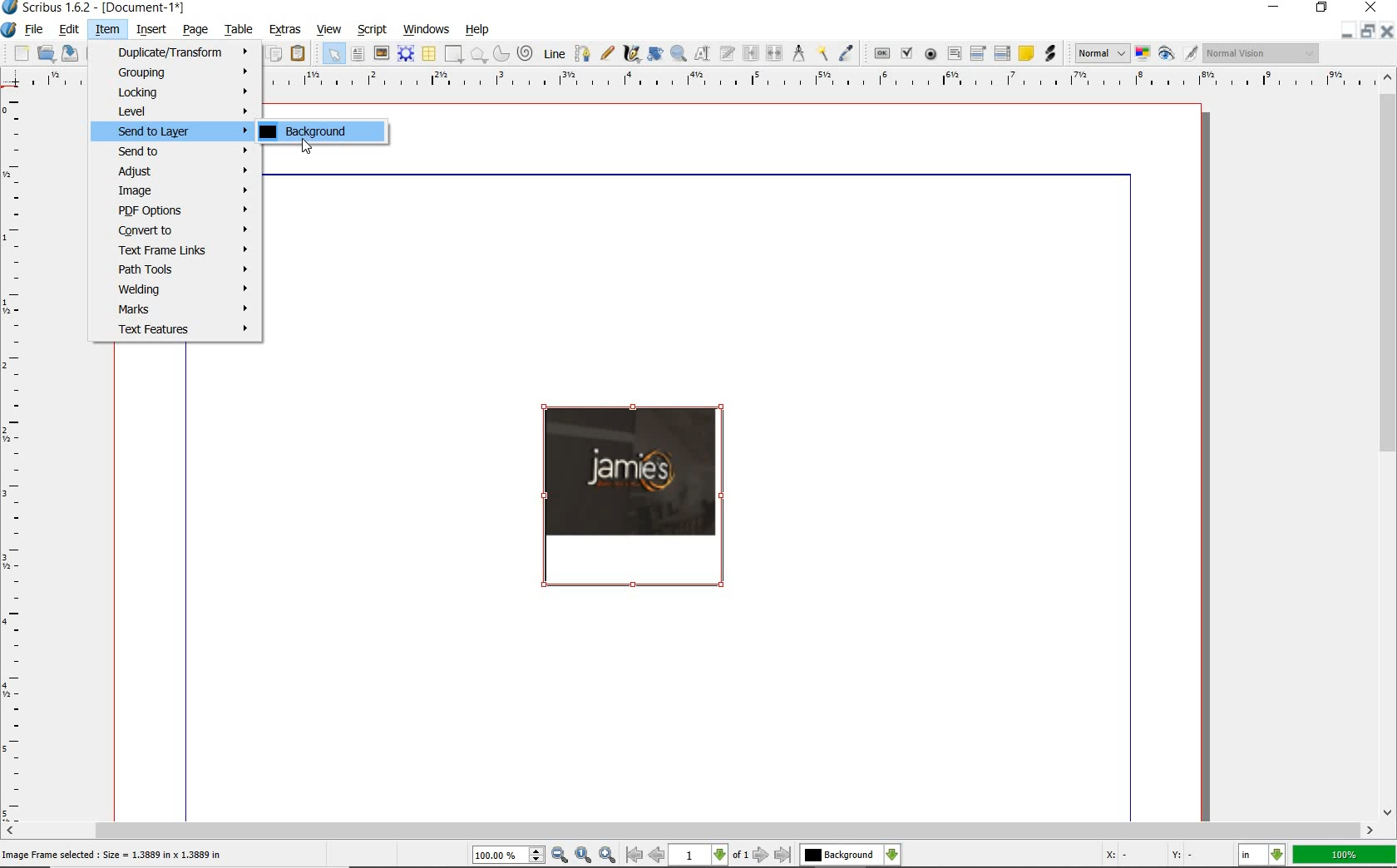  Describe the element at coordinates (1365, 31) in the screenshot. I see `Minimize` at that location.